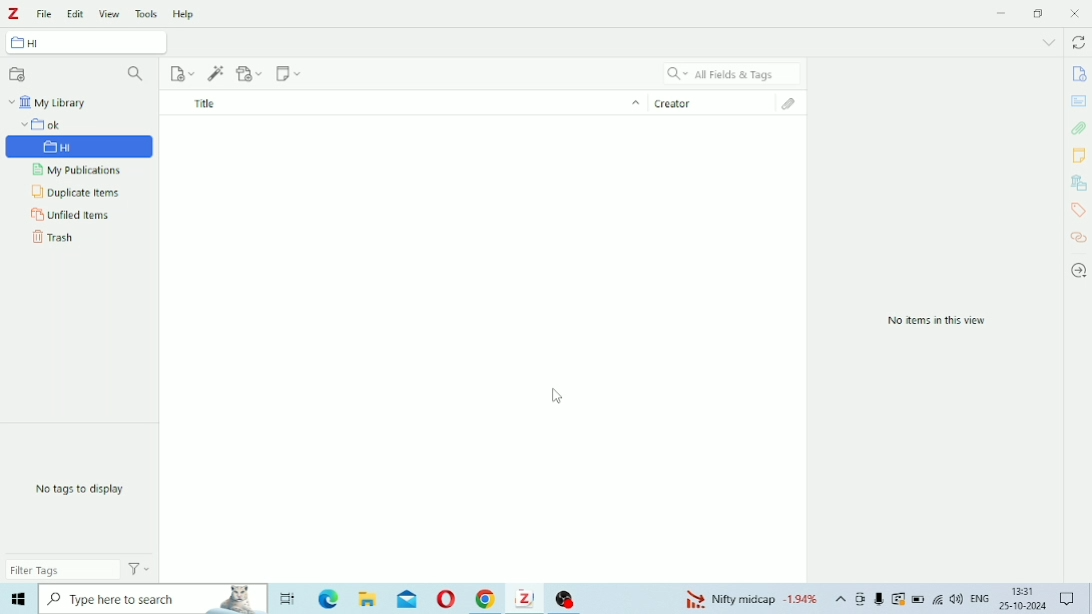 The image size is (1092, 614). I want to click on HI, so click(86, 42).